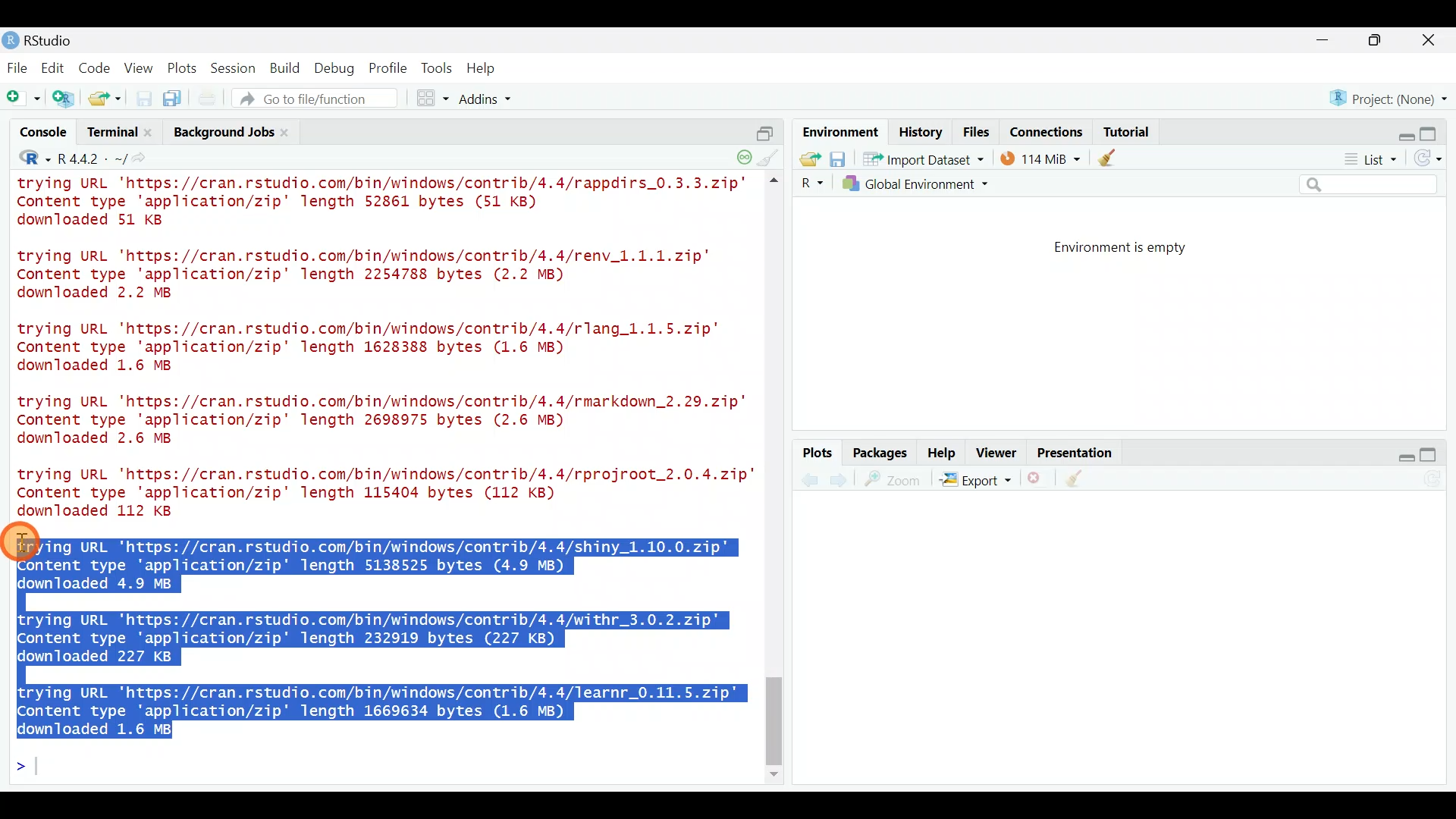  Describe the element at coordinates (388, 67) in the screenshot. I see `Profile` at that location.